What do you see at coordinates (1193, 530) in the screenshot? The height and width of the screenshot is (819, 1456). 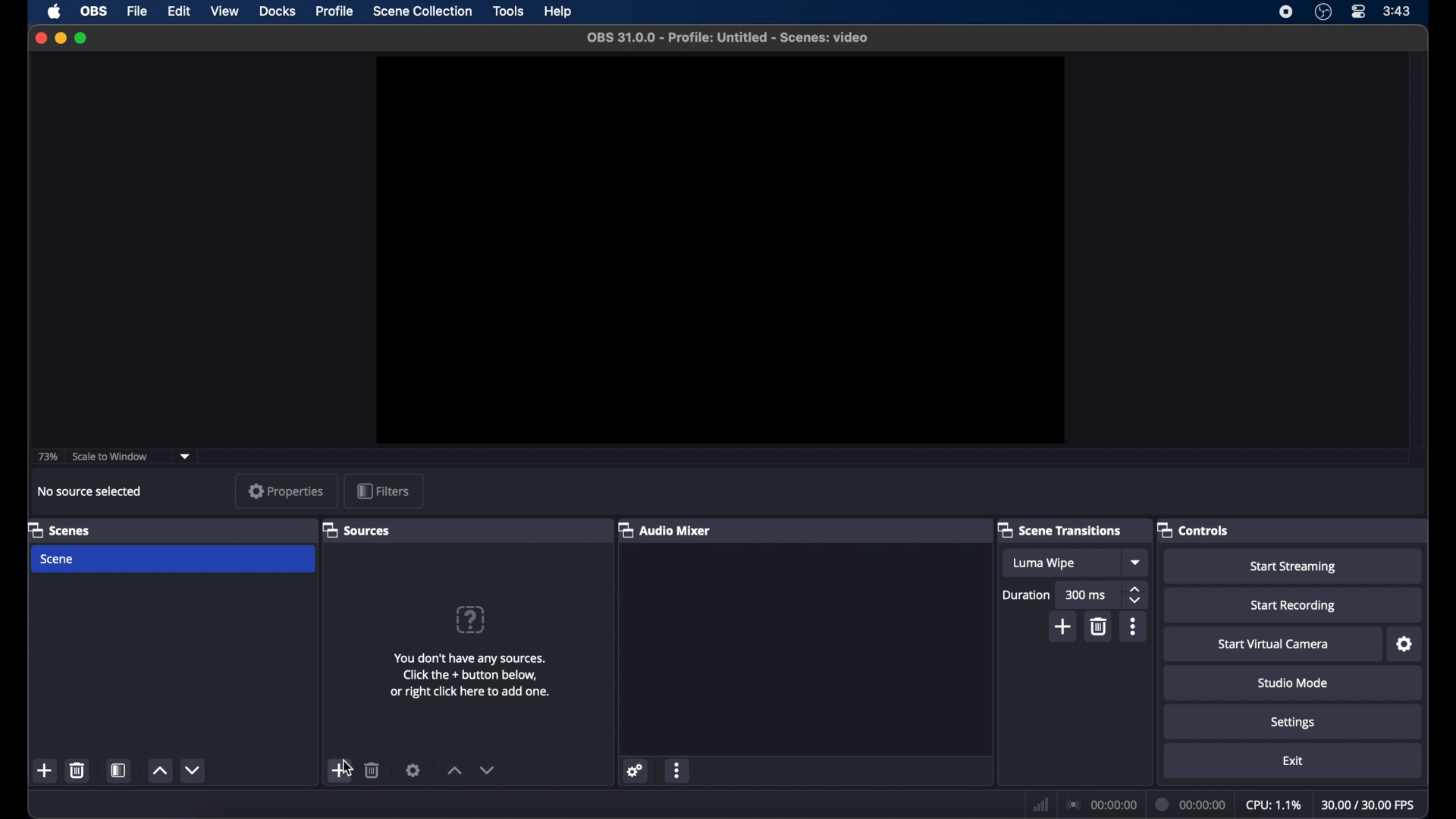 I see `controls` at bounding box center [1193, 530].